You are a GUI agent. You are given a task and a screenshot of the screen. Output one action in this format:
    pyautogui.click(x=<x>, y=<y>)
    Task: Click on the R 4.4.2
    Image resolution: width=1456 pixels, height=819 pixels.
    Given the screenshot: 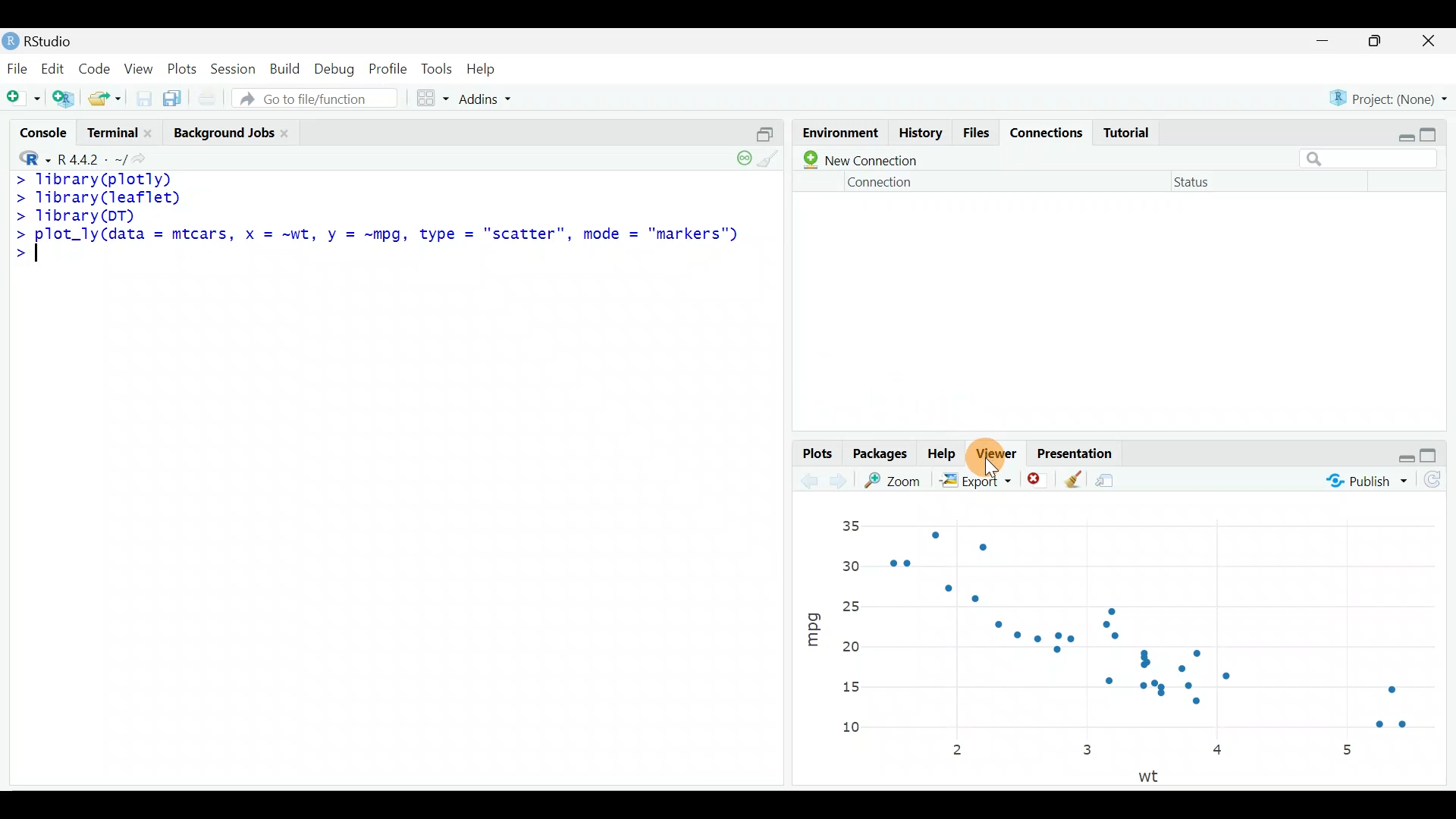 What is the action you would take?
    pyautogui.click(x=93, y=158)
    